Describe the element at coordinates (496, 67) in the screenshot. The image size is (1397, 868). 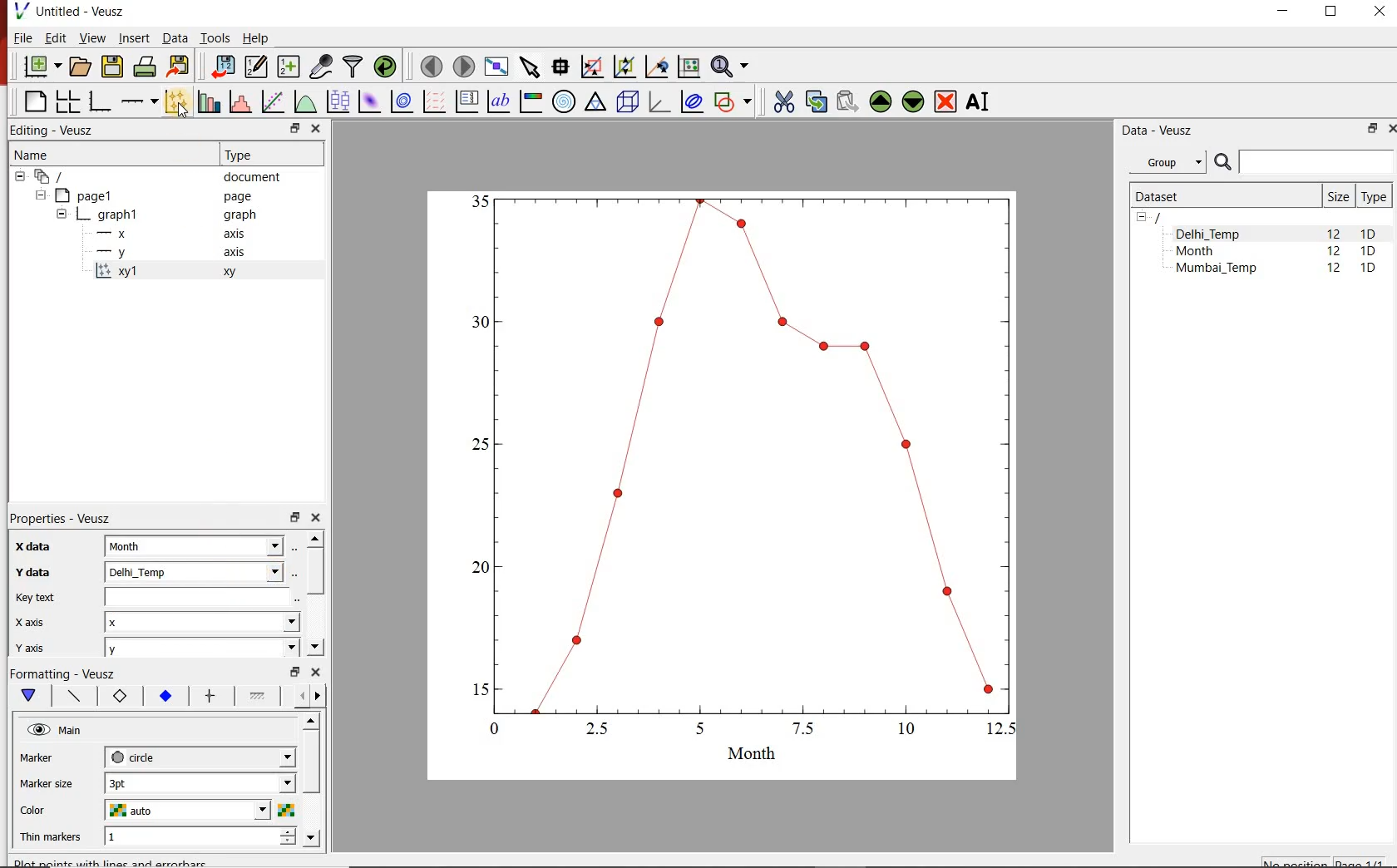
I see `view plot full screen` at that location.